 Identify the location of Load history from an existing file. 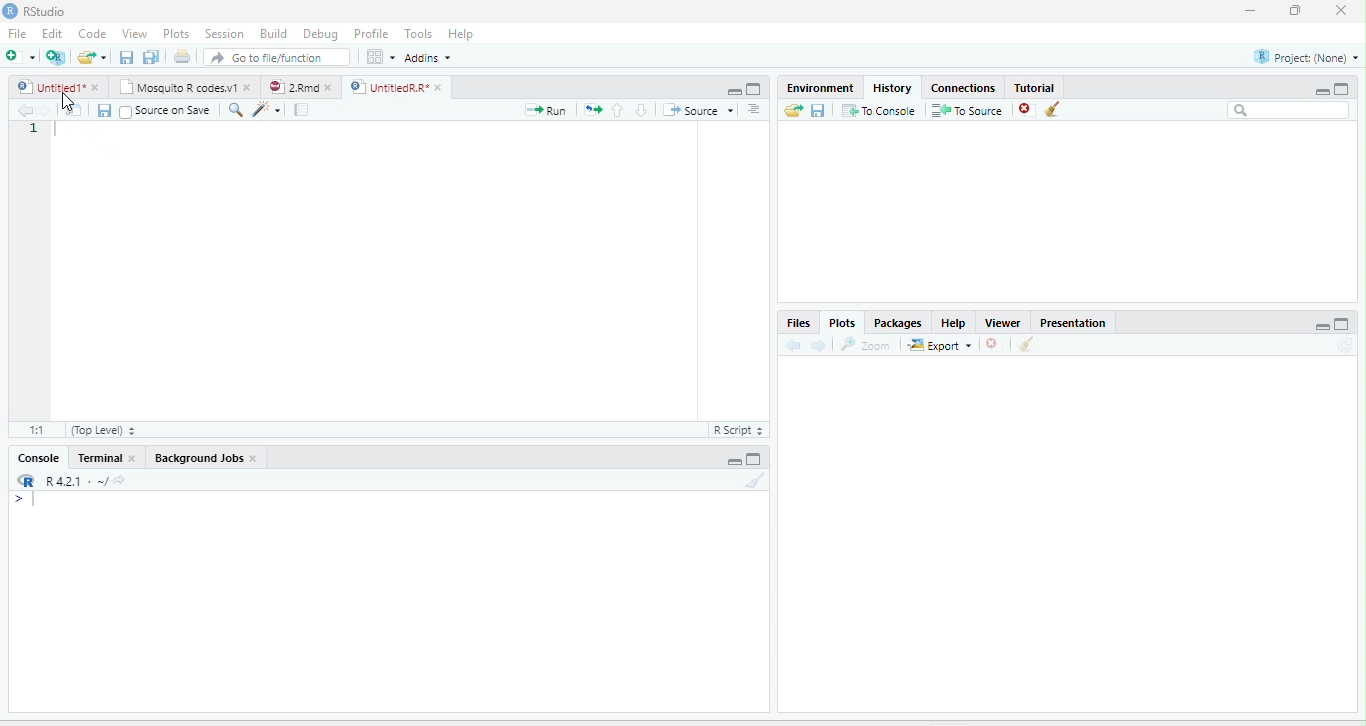
(793, 110).